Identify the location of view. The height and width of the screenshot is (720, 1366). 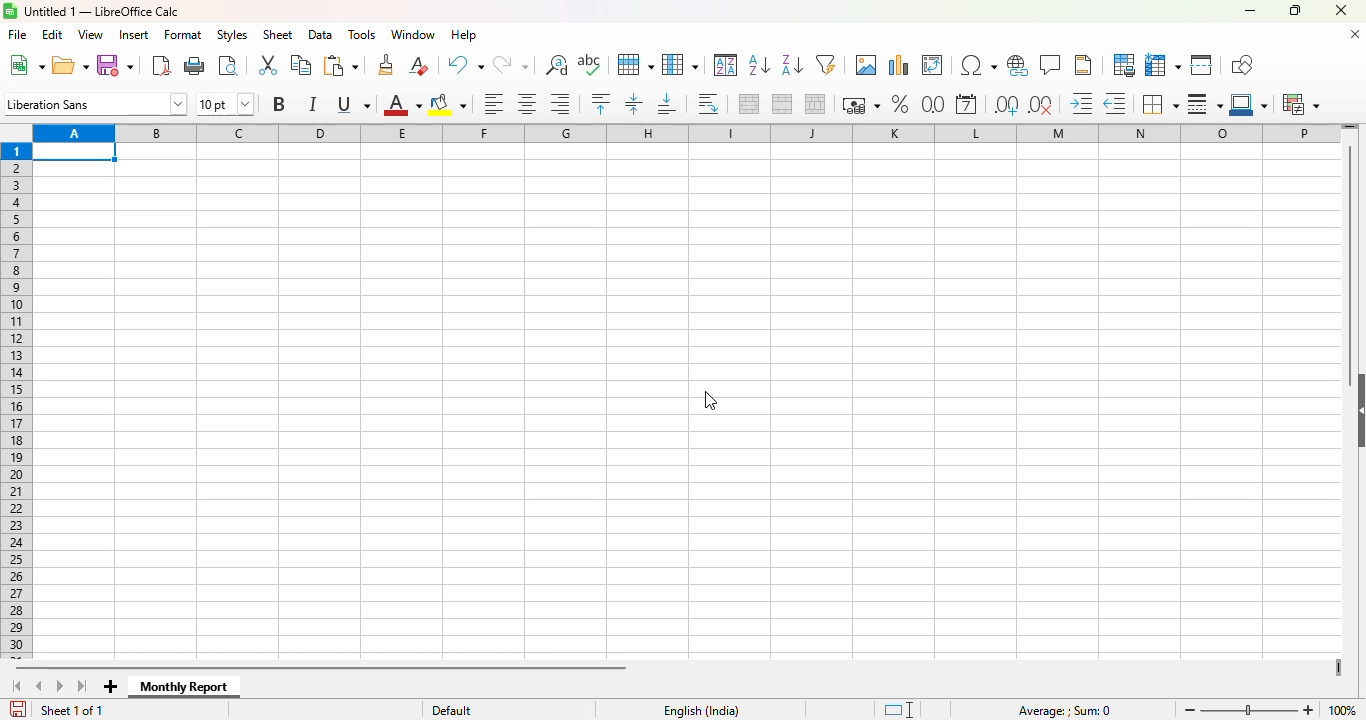
(90, 34).